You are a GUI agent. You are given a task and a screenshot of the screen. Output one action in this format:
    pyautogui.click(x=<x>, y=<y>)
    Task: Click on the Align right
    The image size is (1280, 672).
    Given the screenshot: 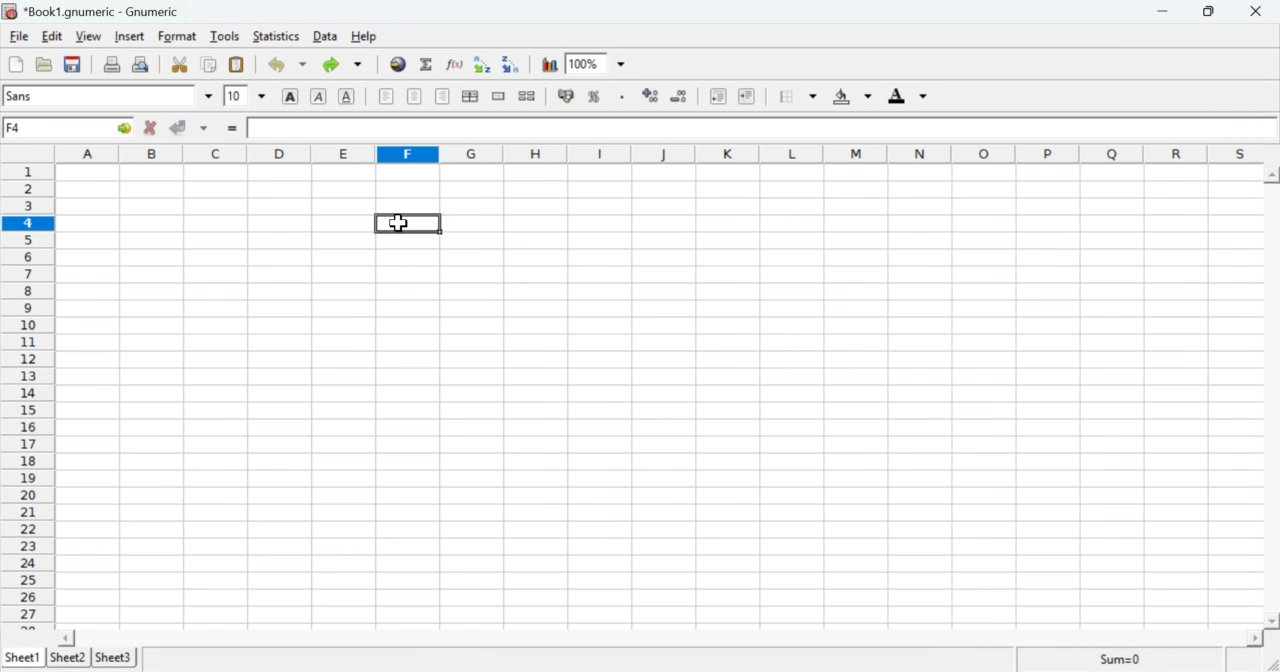 What is the action you would take?
    pyautogui.click(x=442, y=99)
    